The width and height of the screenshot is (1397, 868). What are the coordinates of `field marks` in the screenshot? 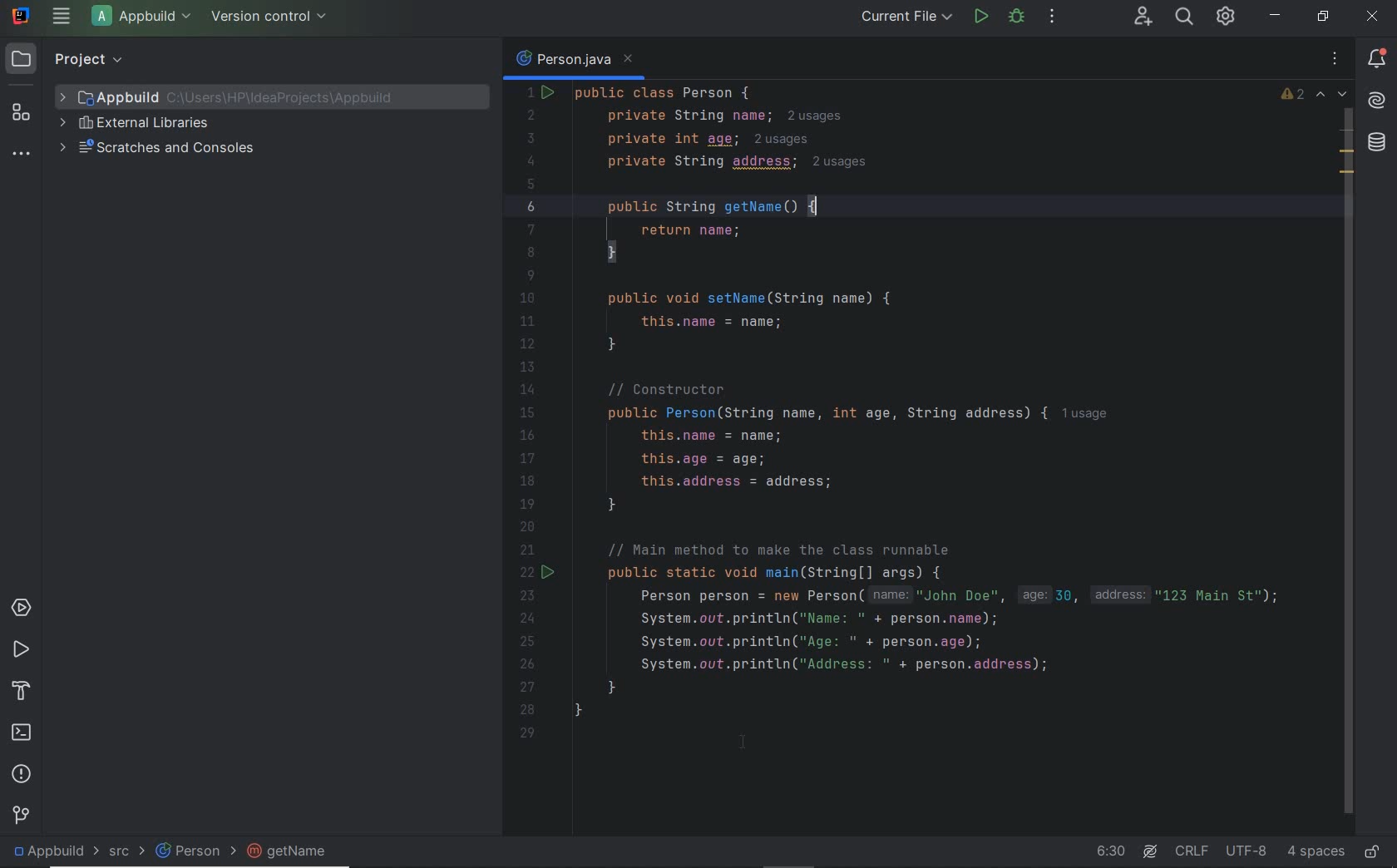 It's located at (1346, 157).